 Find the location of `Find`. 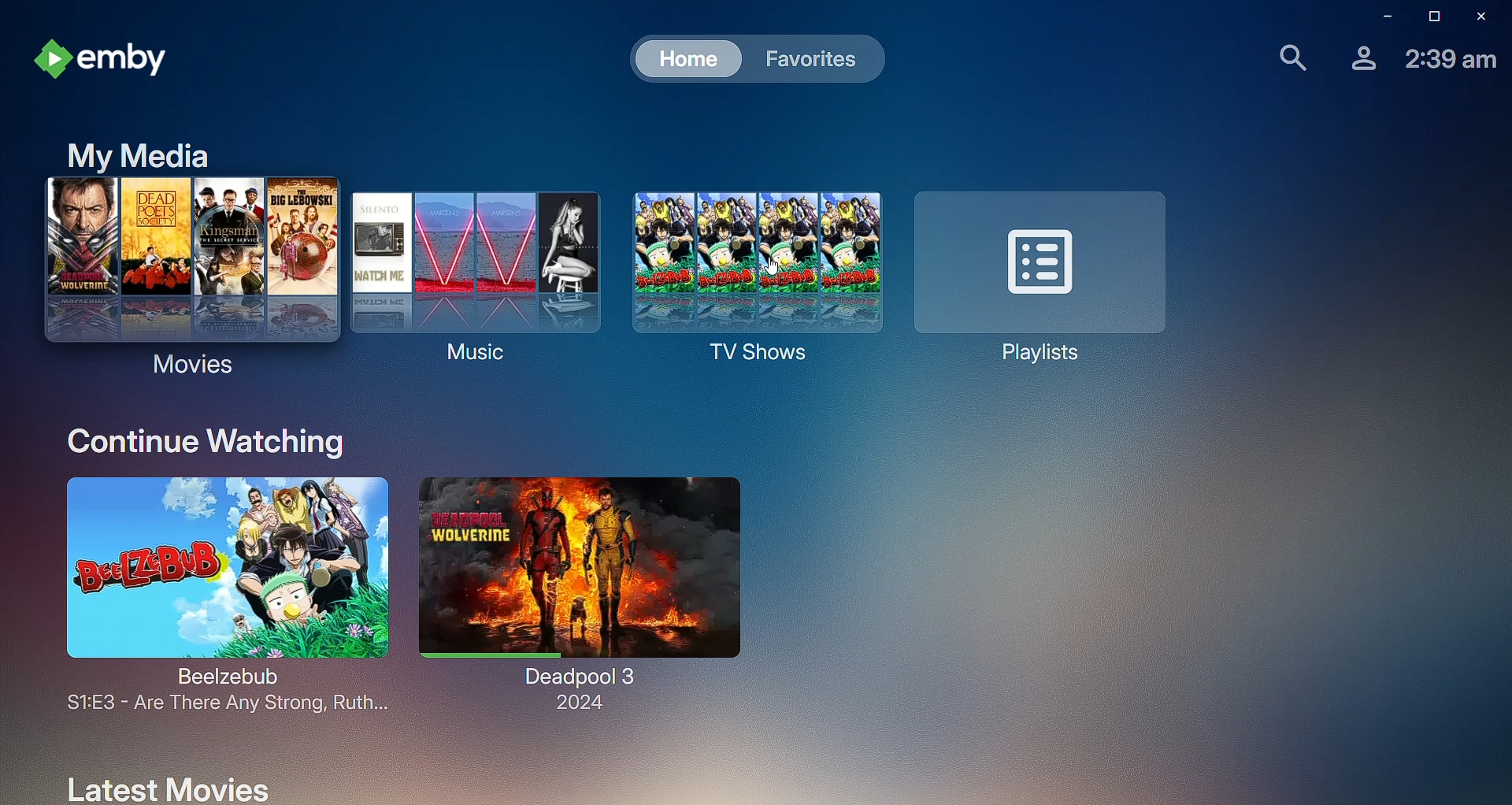

Find is located at coordinates (1282, 58).